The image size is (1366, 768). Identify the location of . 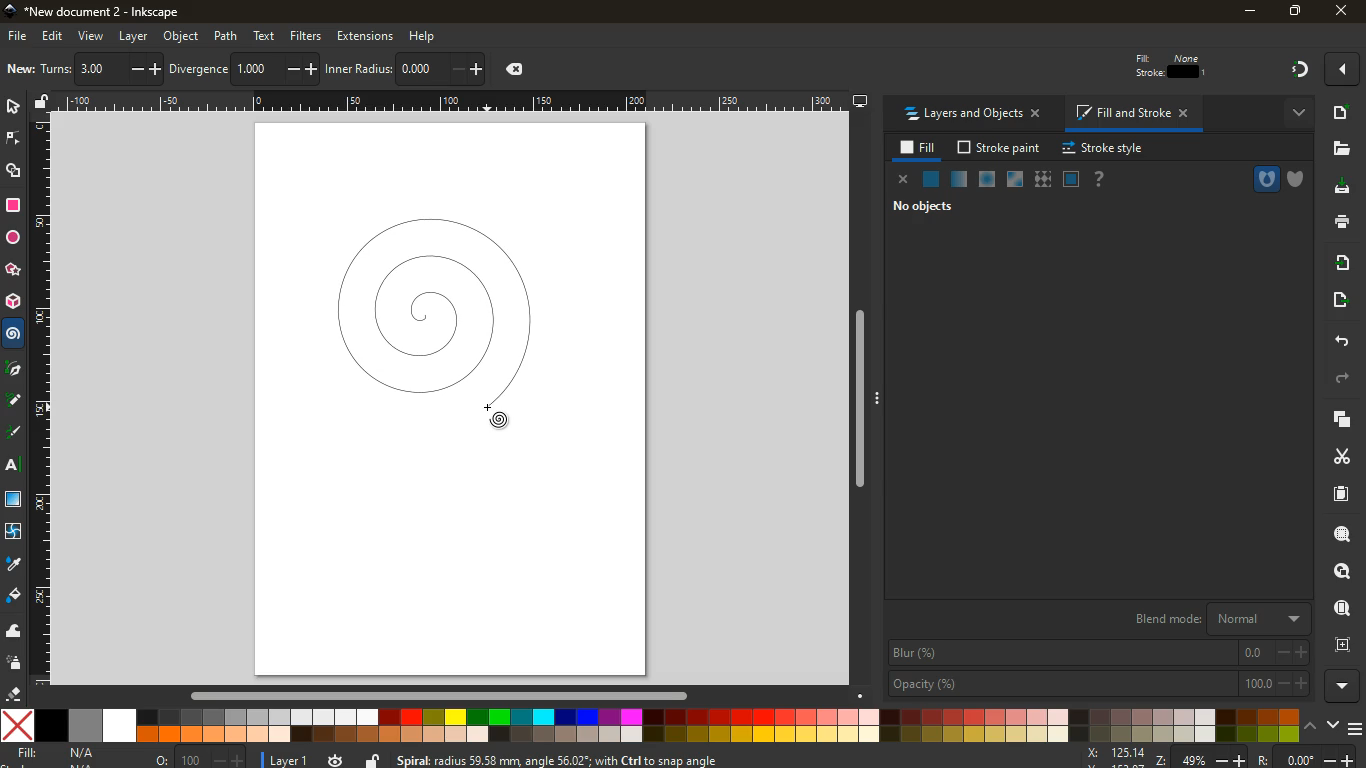
(1340, 14).